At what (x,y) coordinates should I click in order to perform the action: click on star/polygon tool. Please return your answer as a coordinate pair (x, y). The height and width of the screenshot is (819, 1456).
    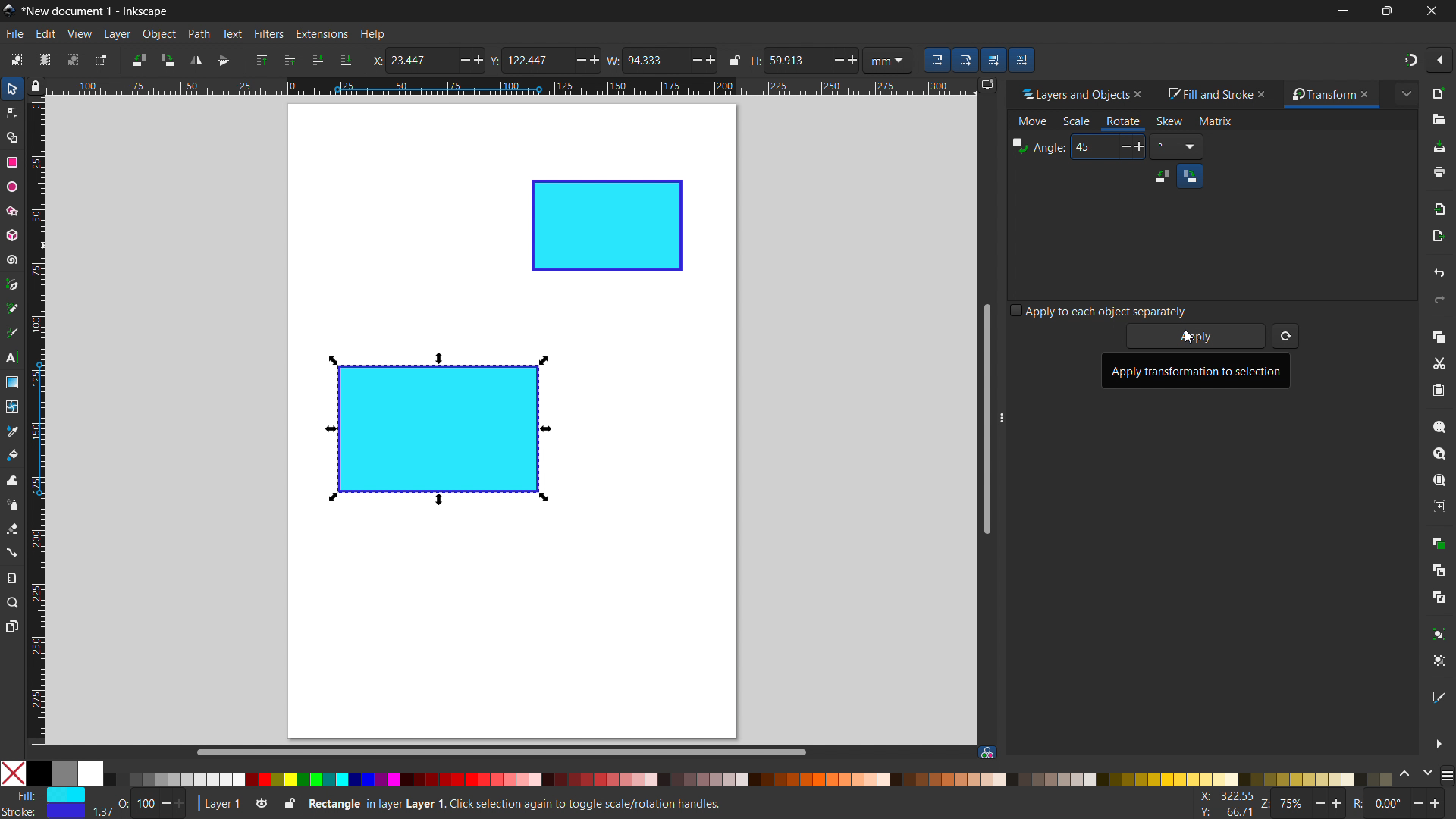
    Looking at the image, I should click on (10, 210).